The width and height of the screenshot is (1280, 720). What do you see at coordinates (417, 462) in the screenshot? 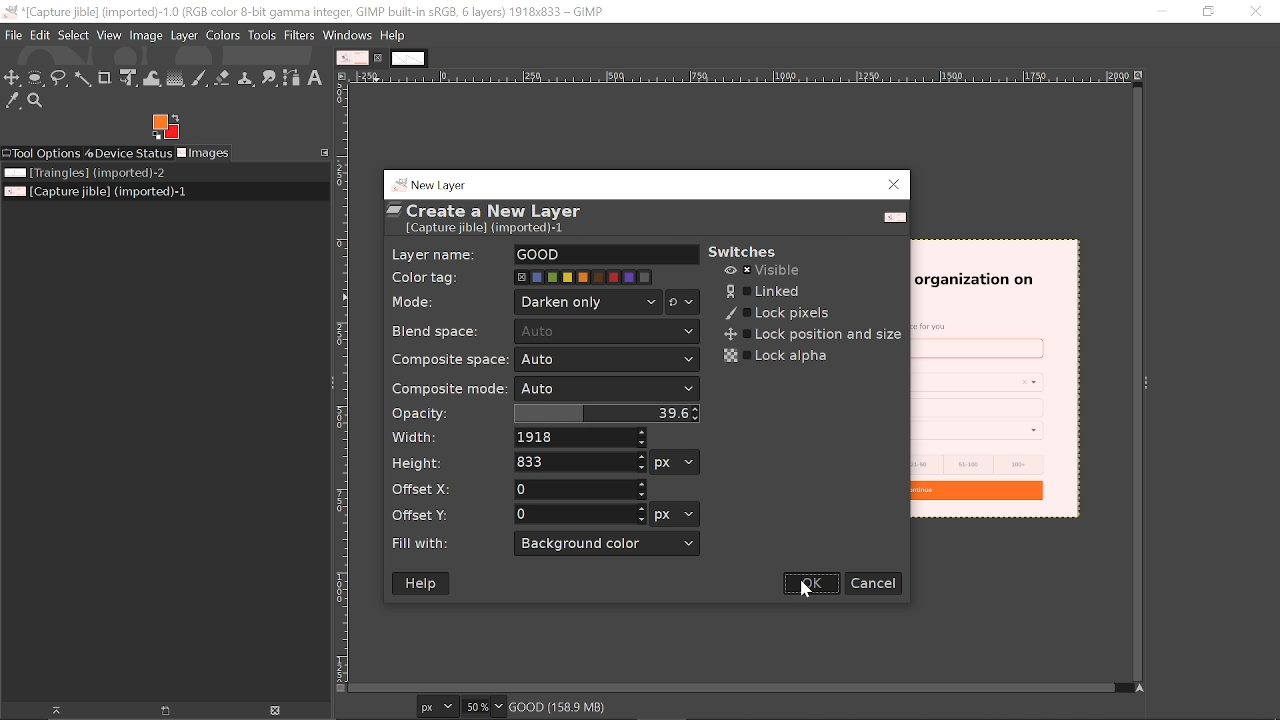
I see `Height:` at bounding box center [417, 462].